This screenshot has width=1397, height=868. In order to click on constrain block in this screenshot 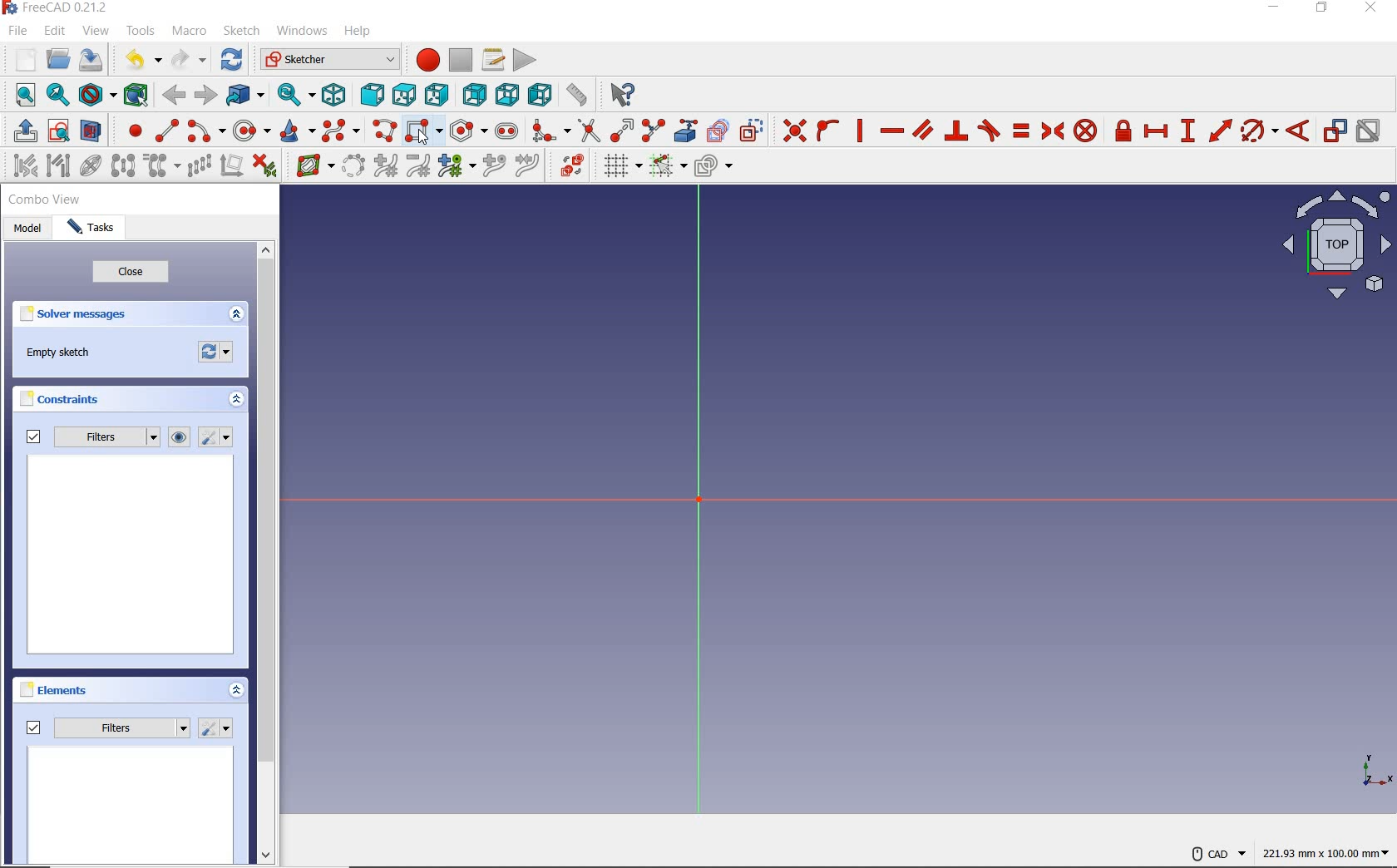, I will do `click(1086, 131)`.